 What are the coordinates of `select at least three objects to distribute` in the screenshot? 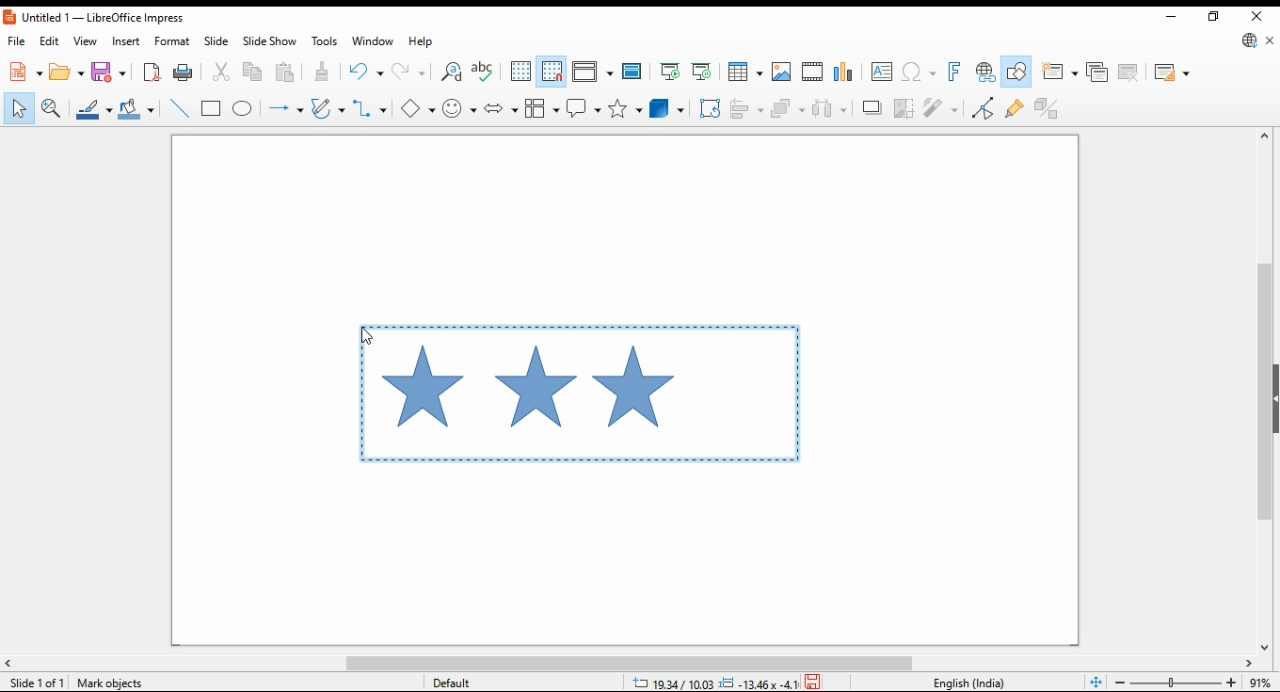 It's located at (831, 107).